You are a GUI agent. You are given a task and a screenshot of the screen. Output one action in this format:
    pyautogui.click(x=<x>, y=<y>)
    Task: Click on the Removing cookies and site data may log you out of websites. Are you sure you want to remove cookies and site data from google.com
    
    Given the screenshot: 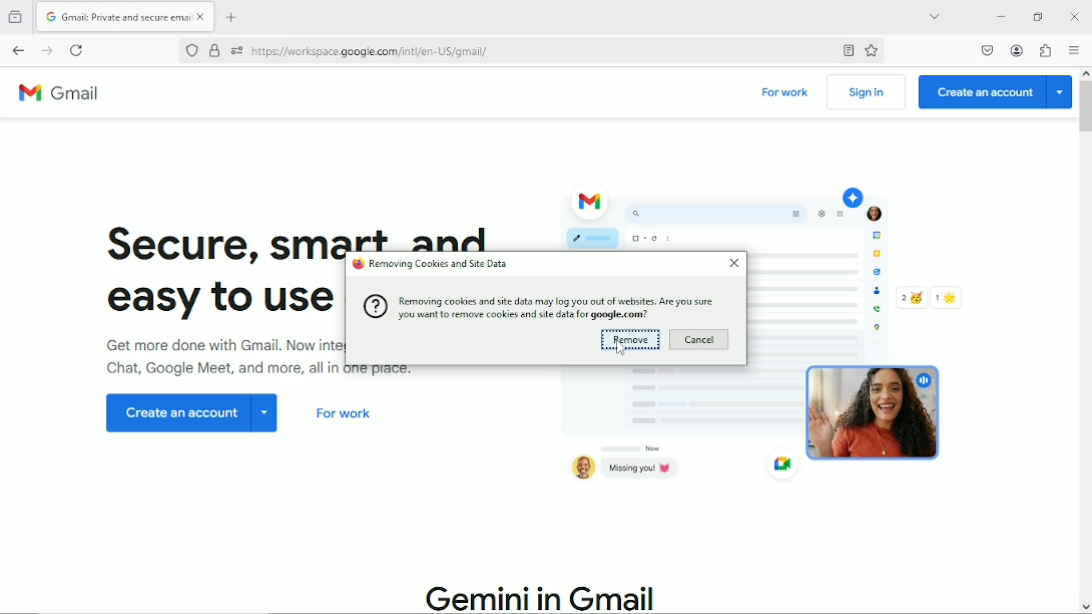 What is the action you would take?
    pyautogui.click(x=539, y=306)
    